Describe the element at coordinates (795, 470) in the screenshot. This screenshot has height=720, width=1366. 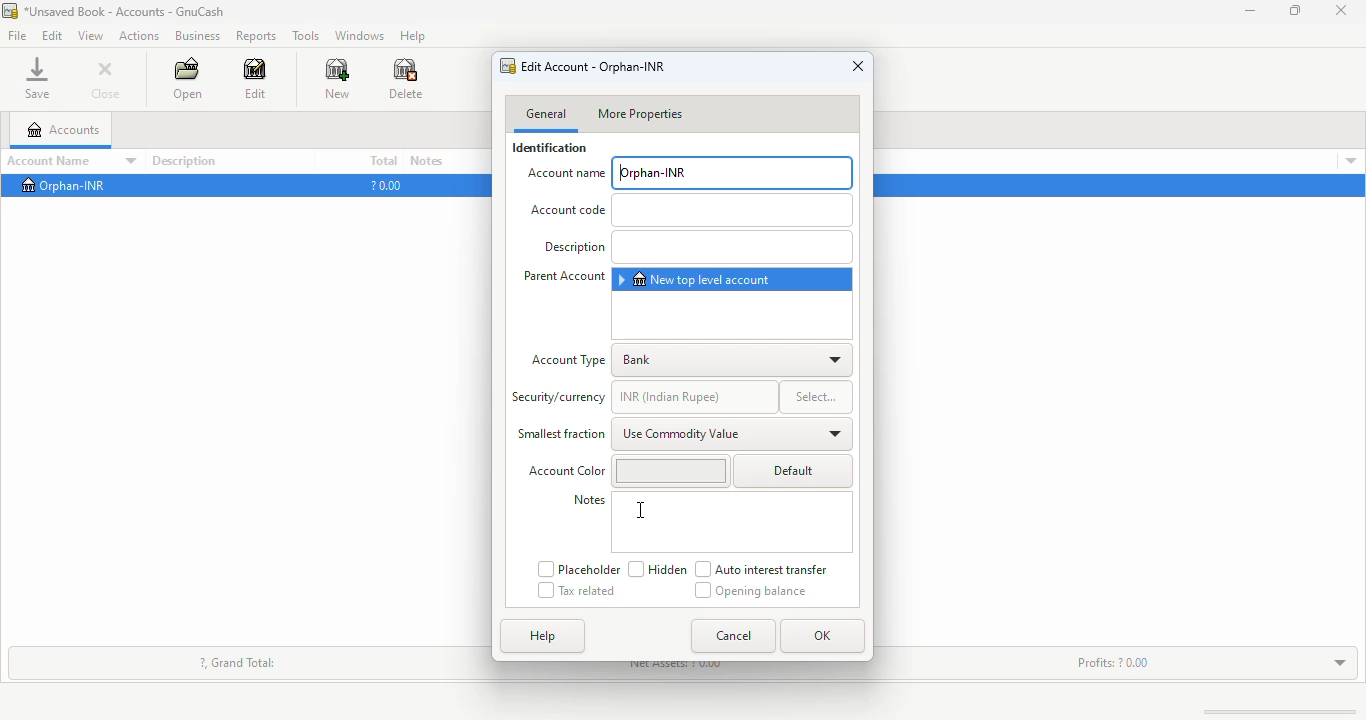
I see `default` at that location.